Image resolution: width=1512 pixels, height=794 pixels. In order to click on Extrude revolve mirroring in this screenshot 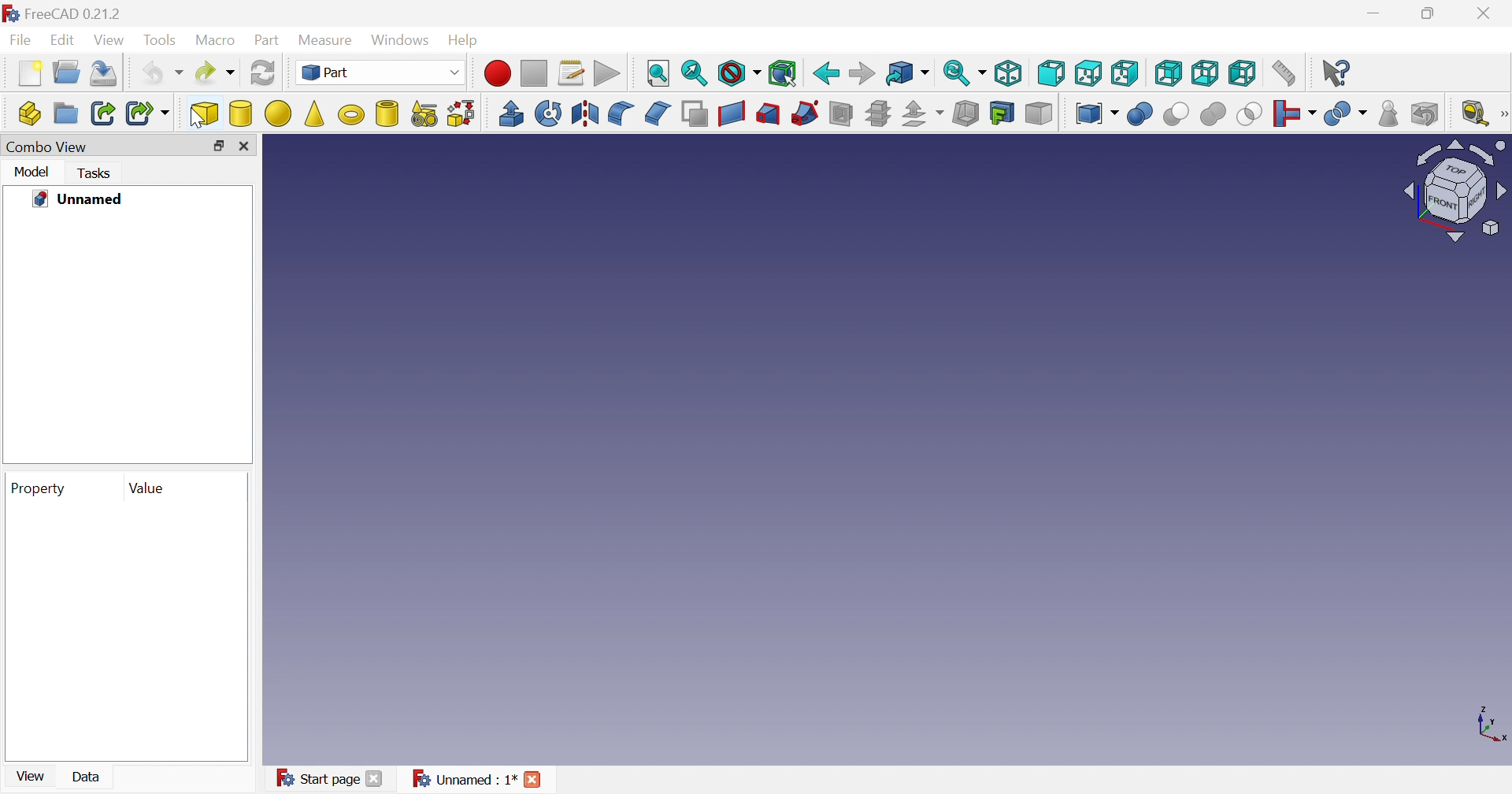, I will do `click(511, 113)`.